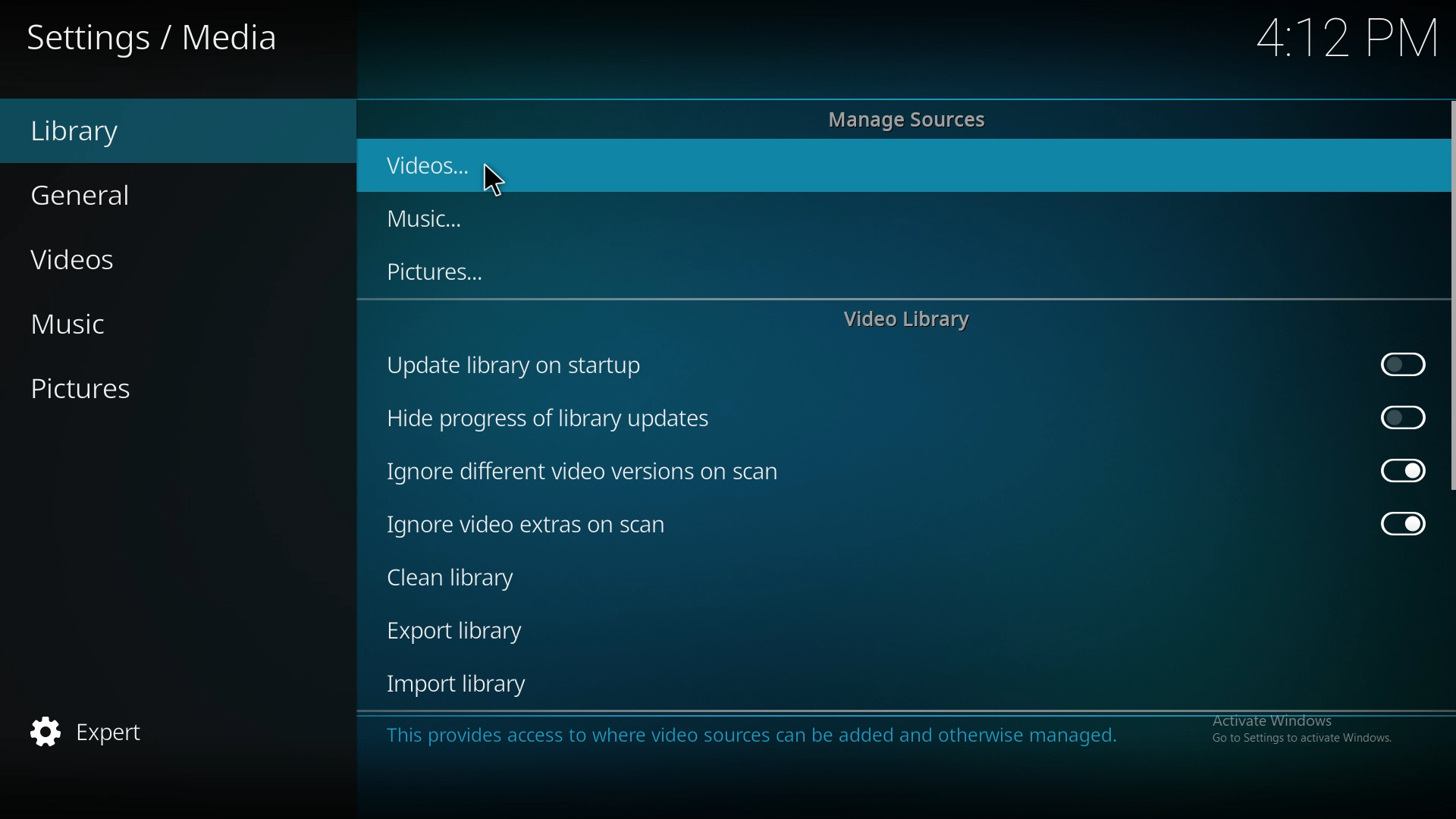  What do you see at coordinates (506, 272) in the screenshot?
I see `pictures` at bounding box center [506, 272].